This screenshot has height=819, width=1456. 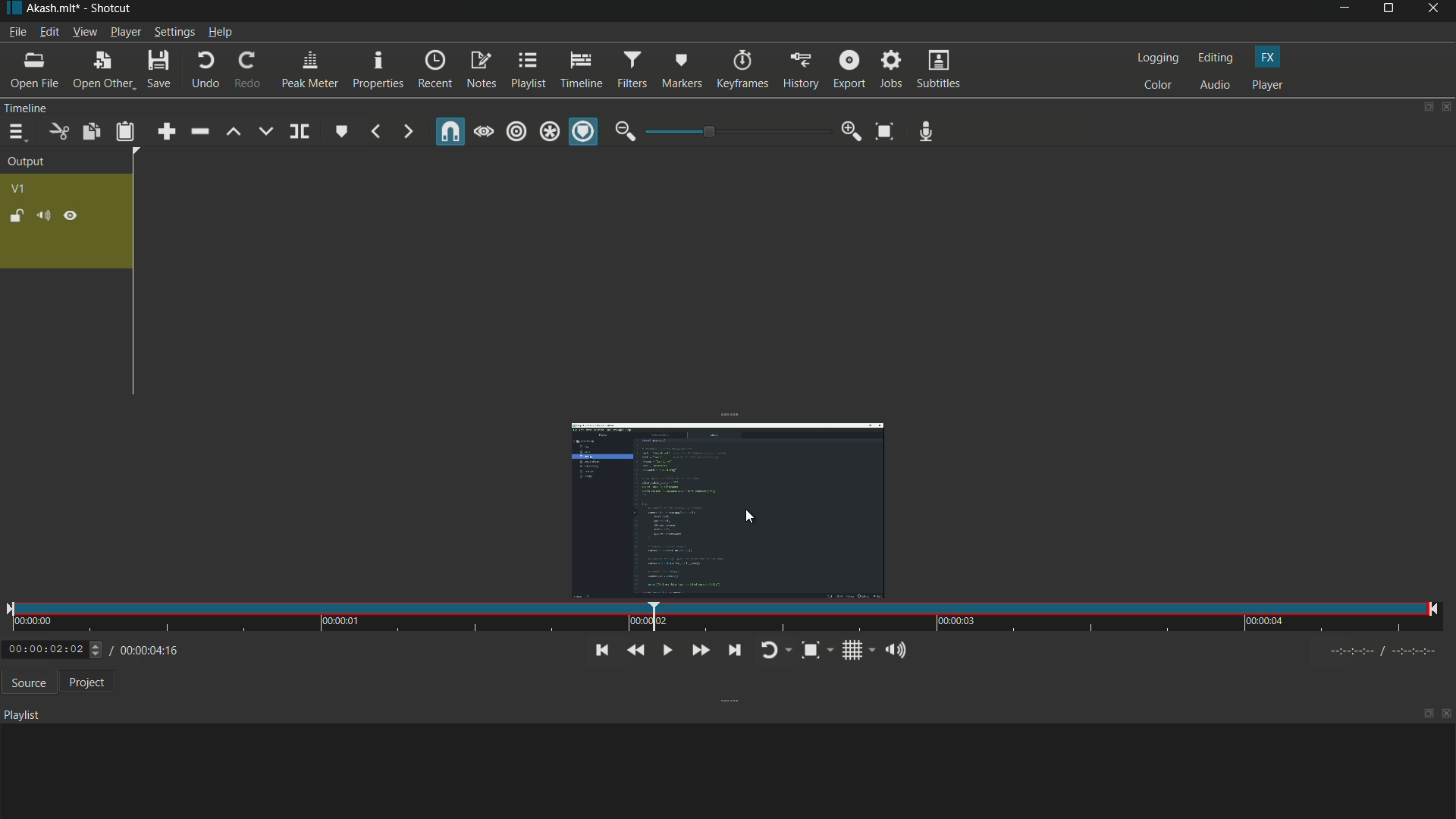 What do you see at coordinates (1428, 714) in the screenshot?
I see `maximize` at bounding box center [1428, 714].